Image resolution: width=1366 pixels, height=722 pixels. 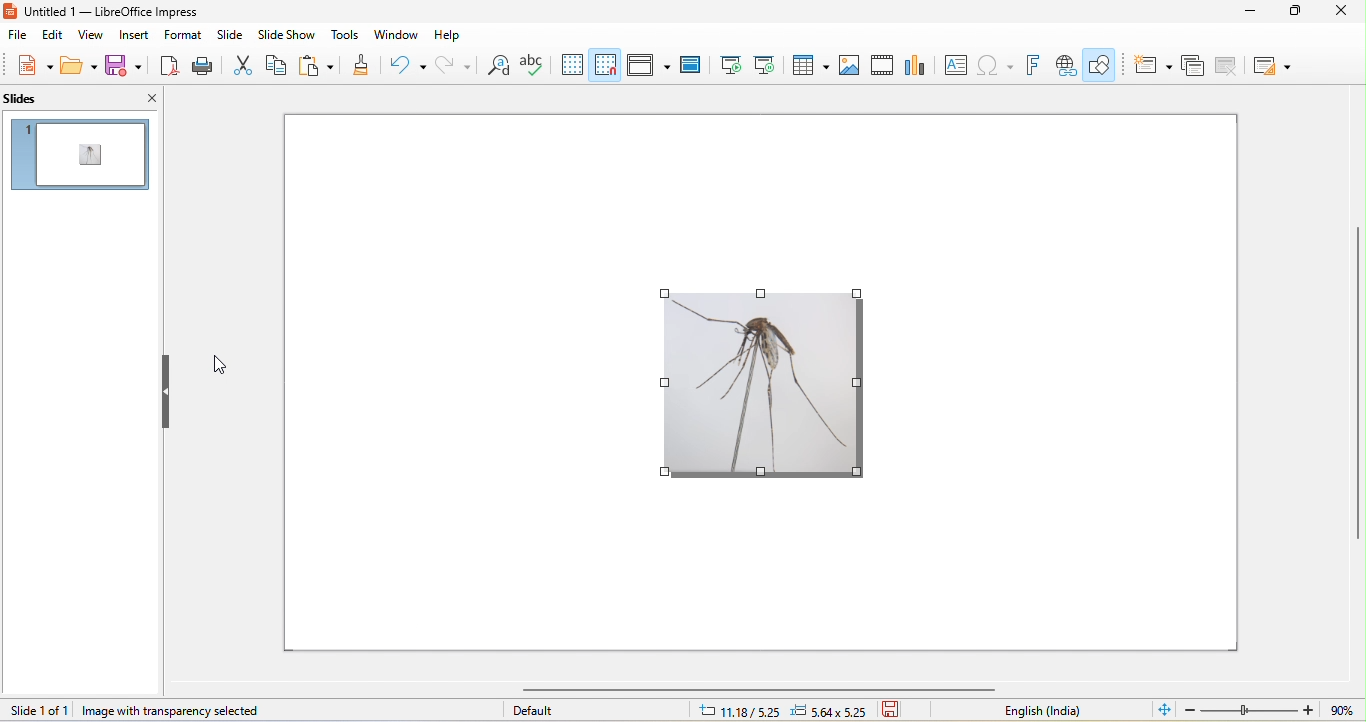 What do you see at coordinates (242, 65) in the screenshot?
I see `Cut` at bounding box center [242, 65].